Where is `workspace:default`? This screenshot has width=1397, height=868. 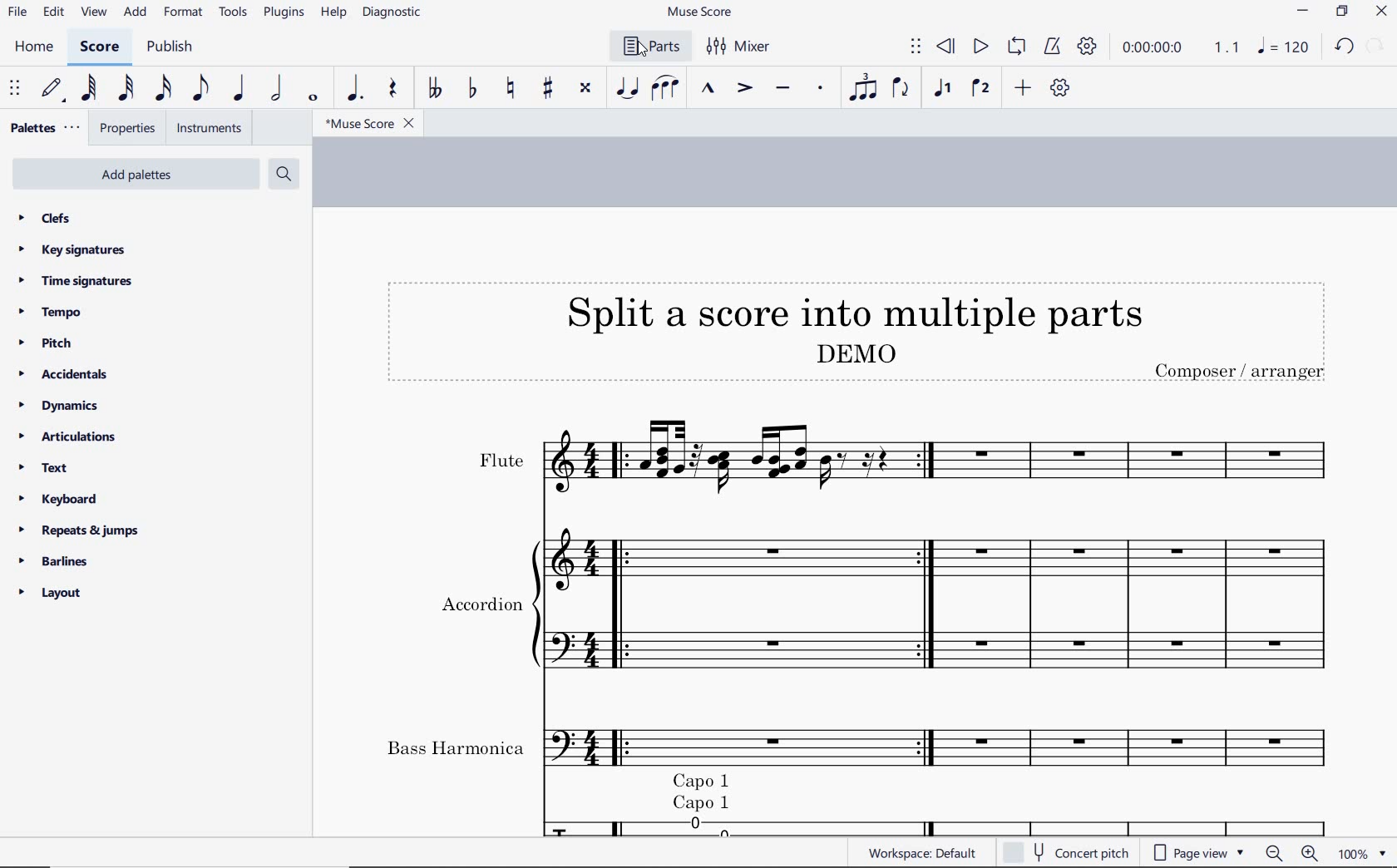 workspace:default is located at coordinates (926, 855).